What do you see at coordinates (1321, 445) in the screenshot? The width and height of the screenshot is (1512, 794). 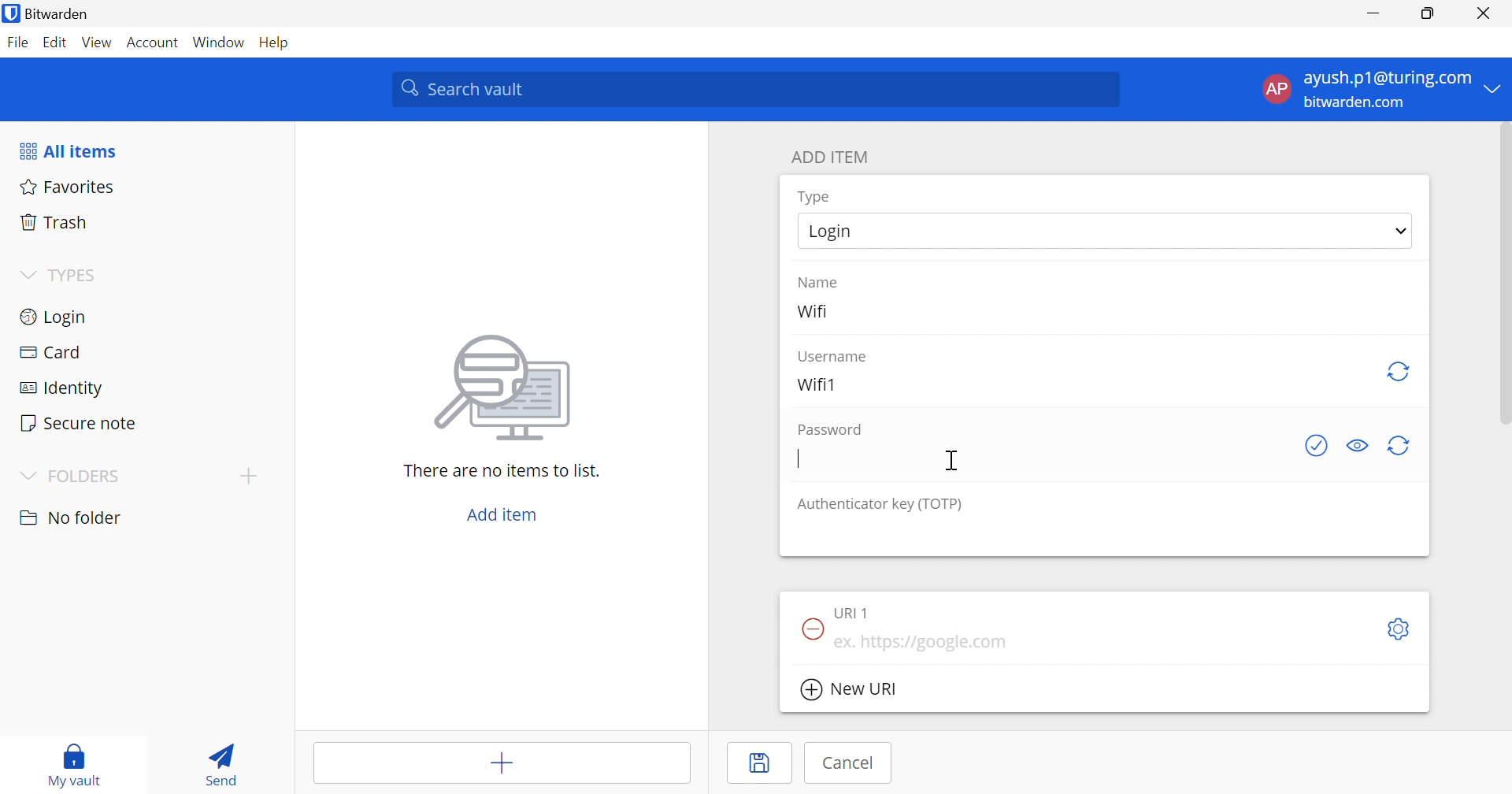 I see `Check if password has been exposed` at bounding box center [1321, 445].